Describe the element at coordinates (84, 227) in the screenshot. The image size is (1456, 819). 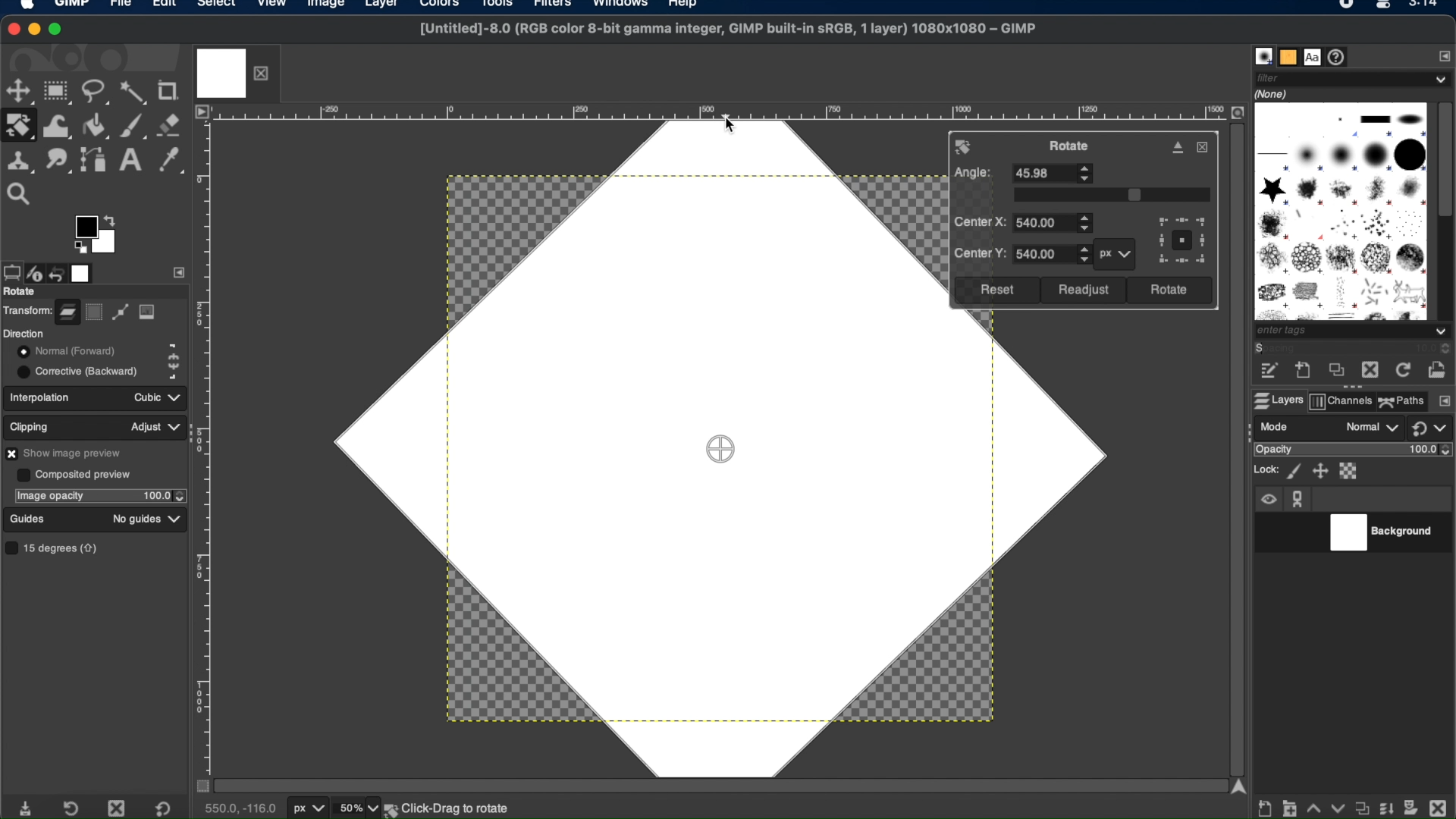
I see `active foreground color` at that location.